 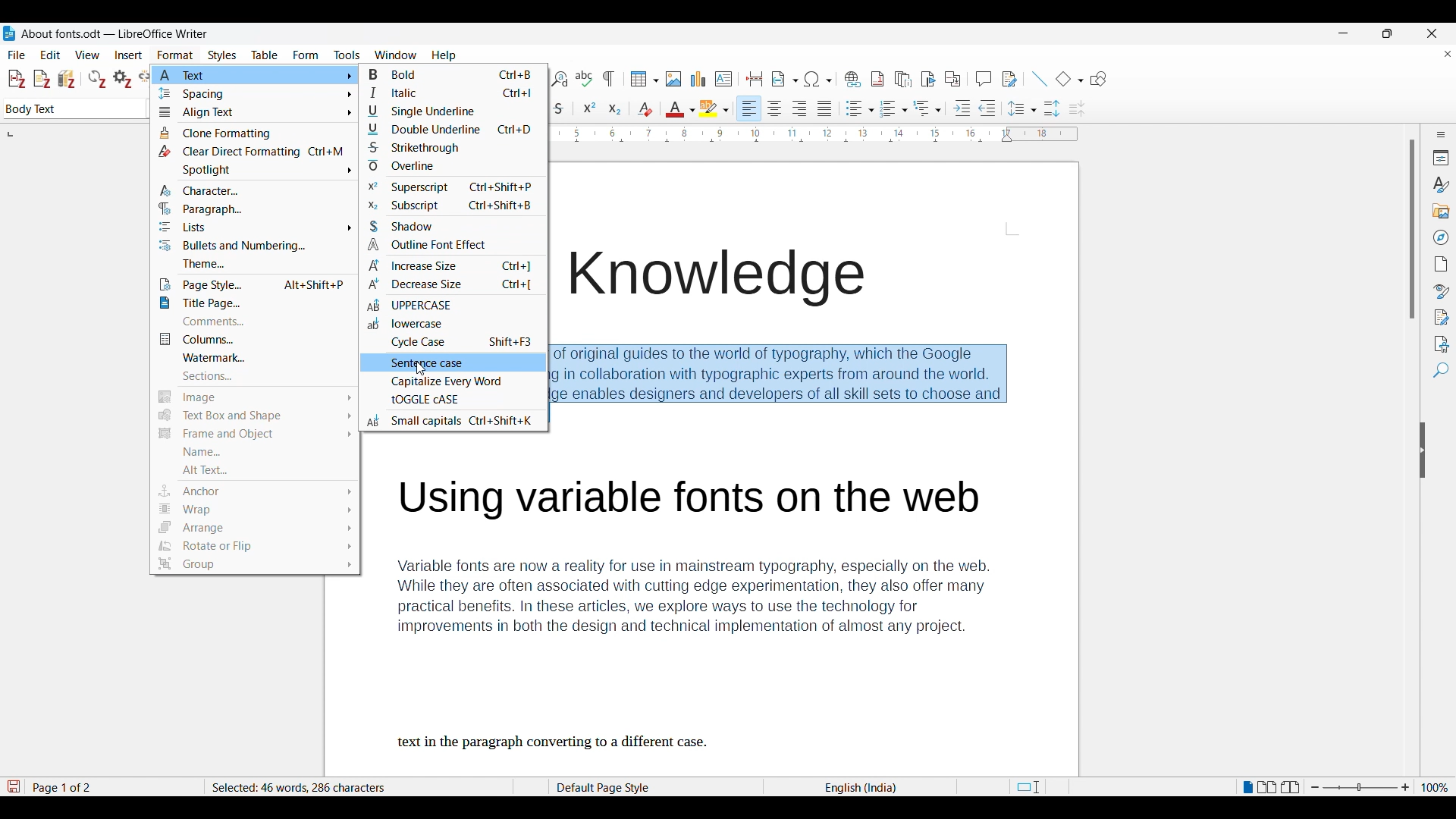 I want to click on Basic shape options, so click(x=1069, y=79).